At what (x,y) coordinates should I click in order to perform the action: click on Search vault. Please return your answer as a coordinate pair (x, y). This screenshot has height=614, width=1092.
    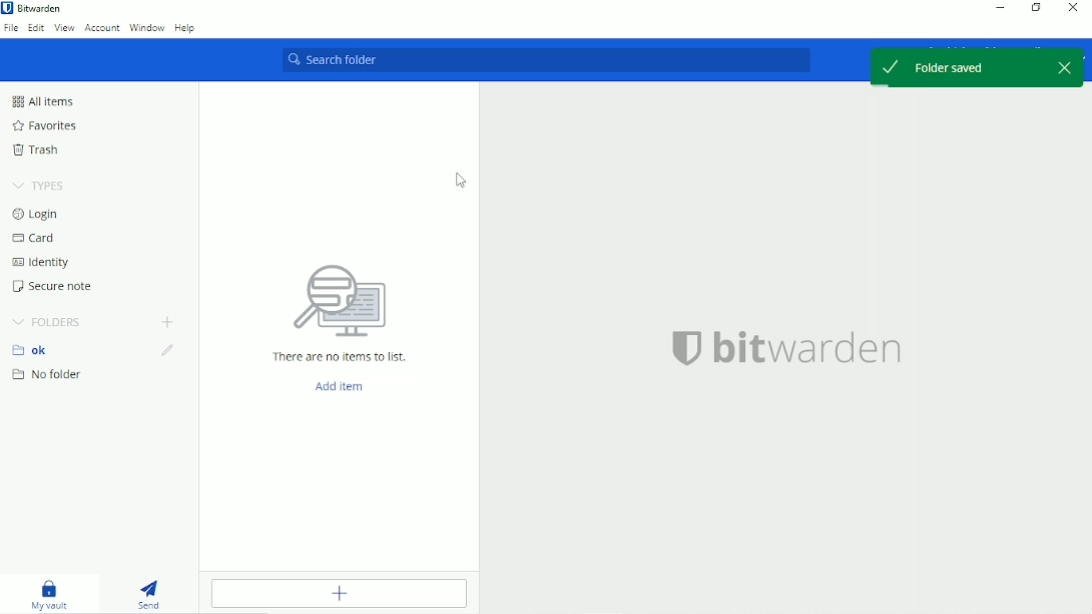
    Looking at the image, I should click on (554, 62).